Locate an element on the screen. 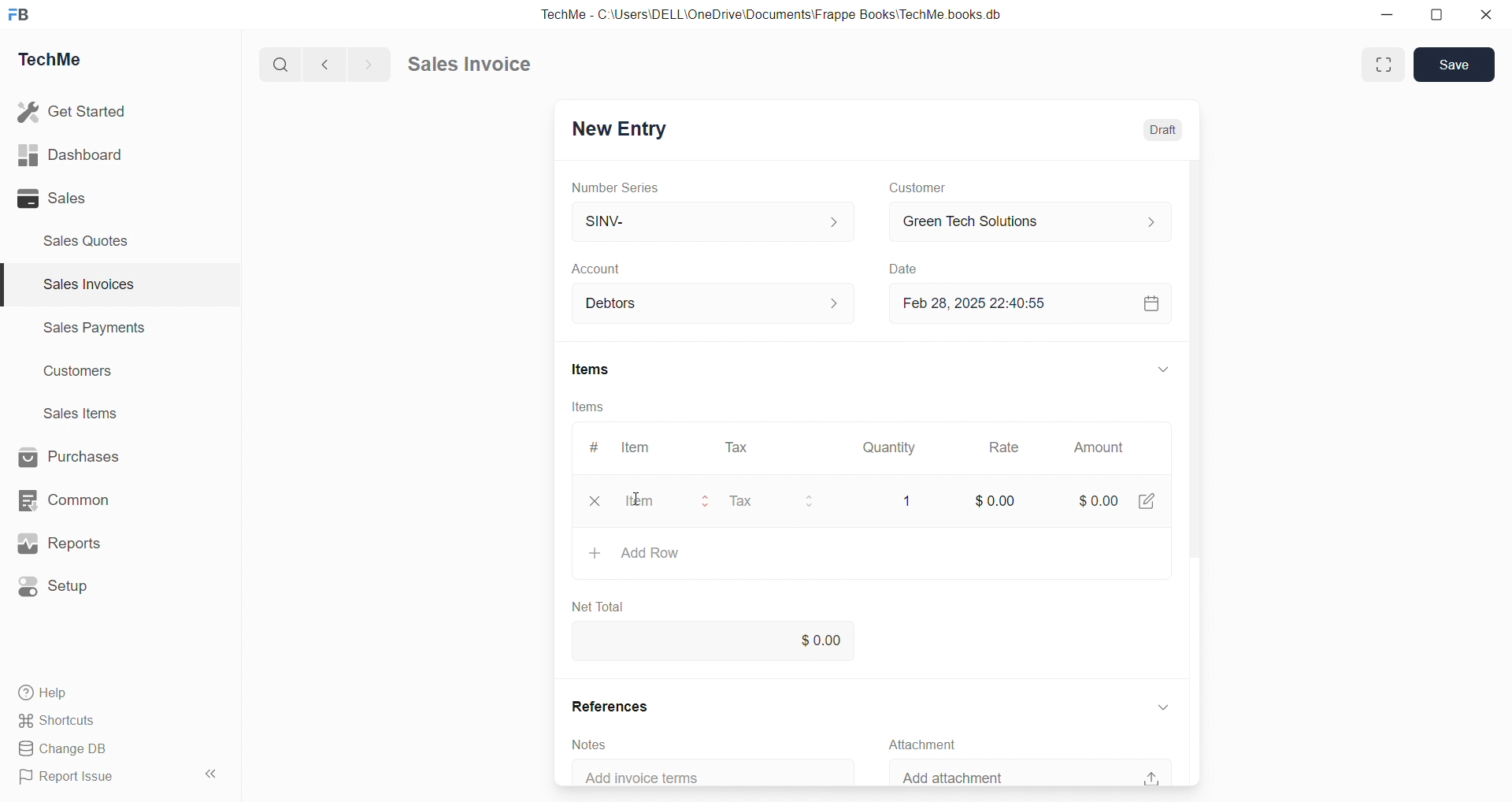  Add row is located at coordinates (633, 553).